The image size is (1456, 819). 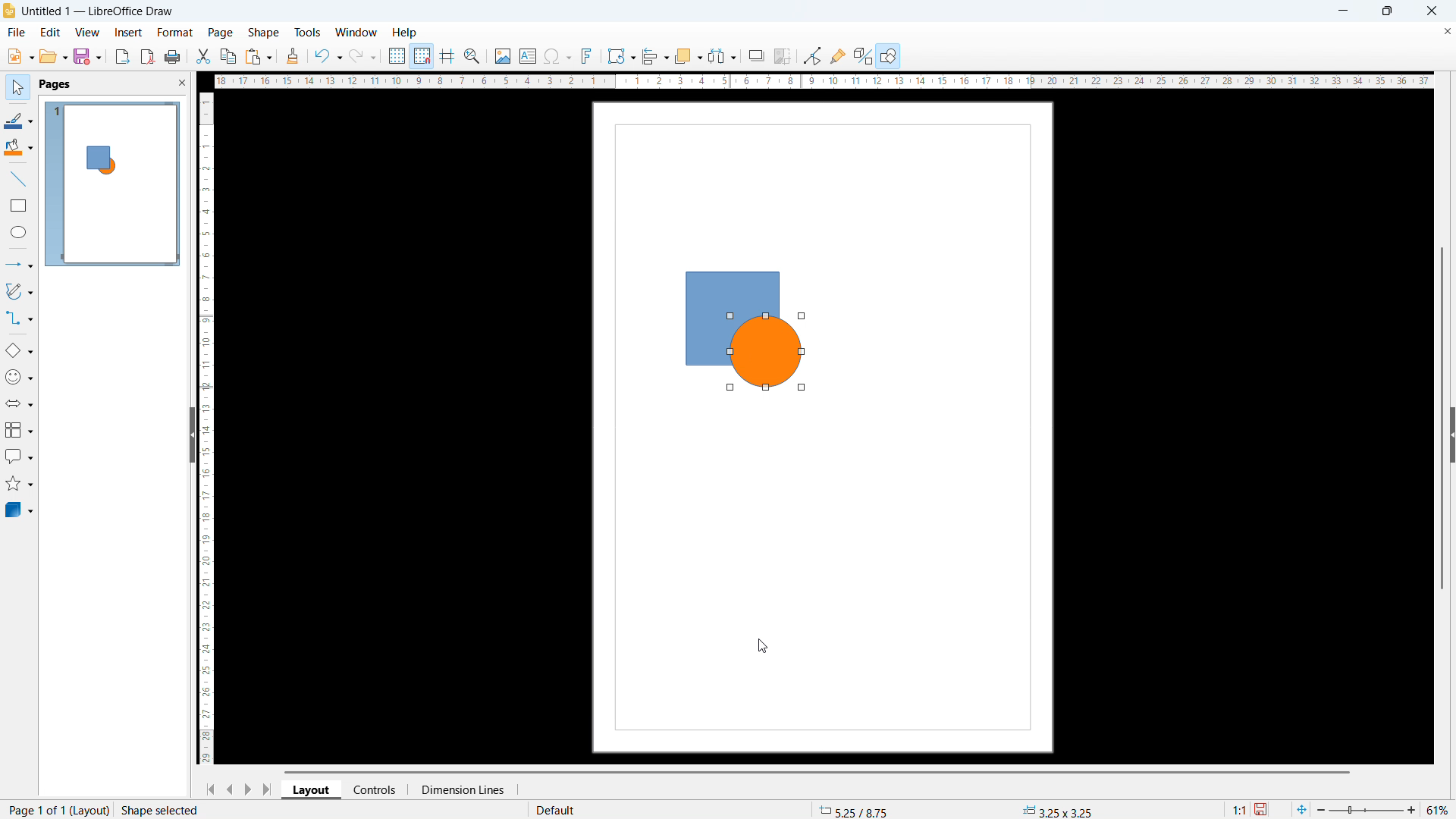 I want to click on vertical scrollbar, so click(x=207, y=428).